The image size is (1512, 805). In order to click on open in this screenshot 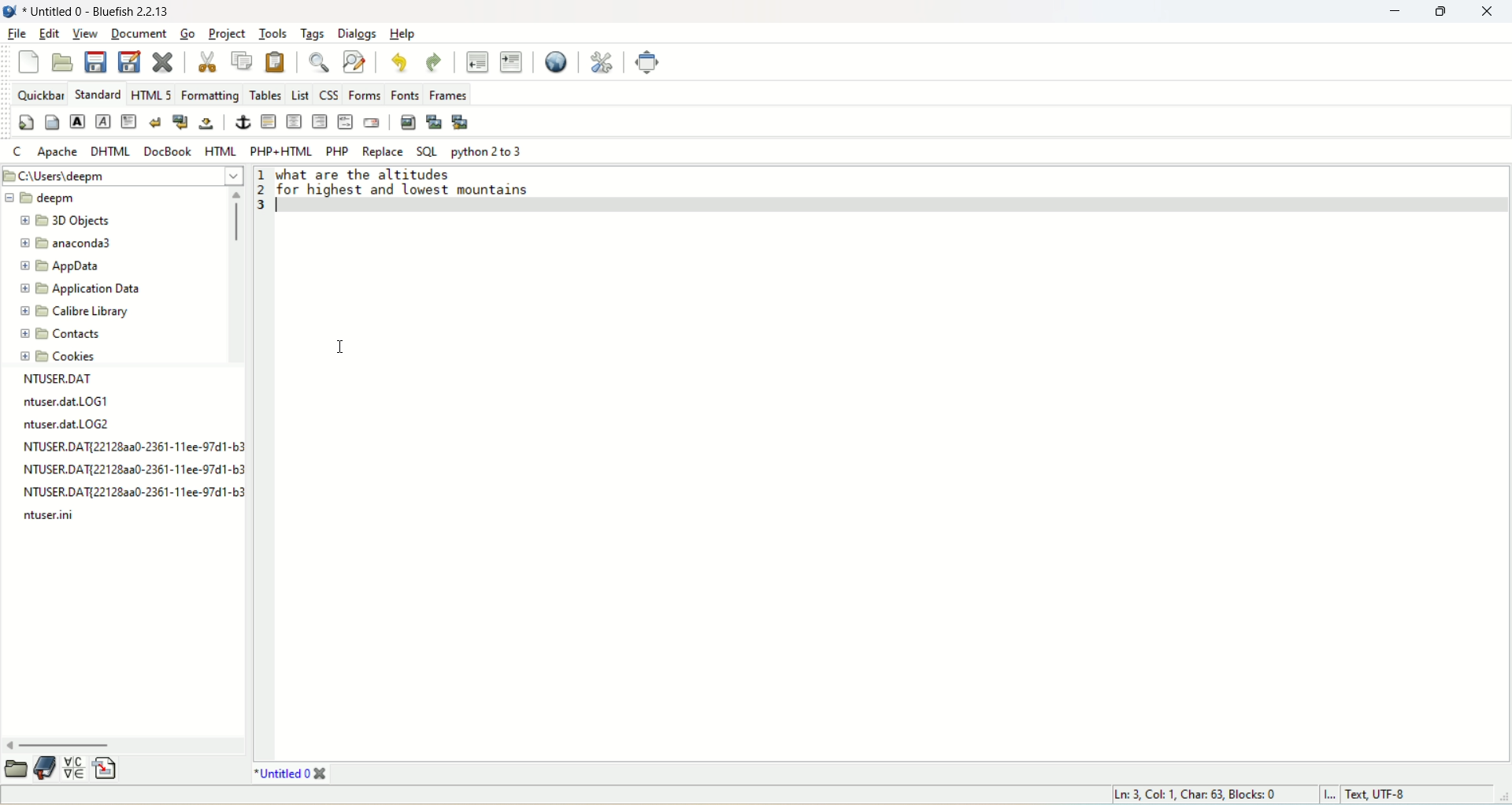, I will do `click(64, 63)`.